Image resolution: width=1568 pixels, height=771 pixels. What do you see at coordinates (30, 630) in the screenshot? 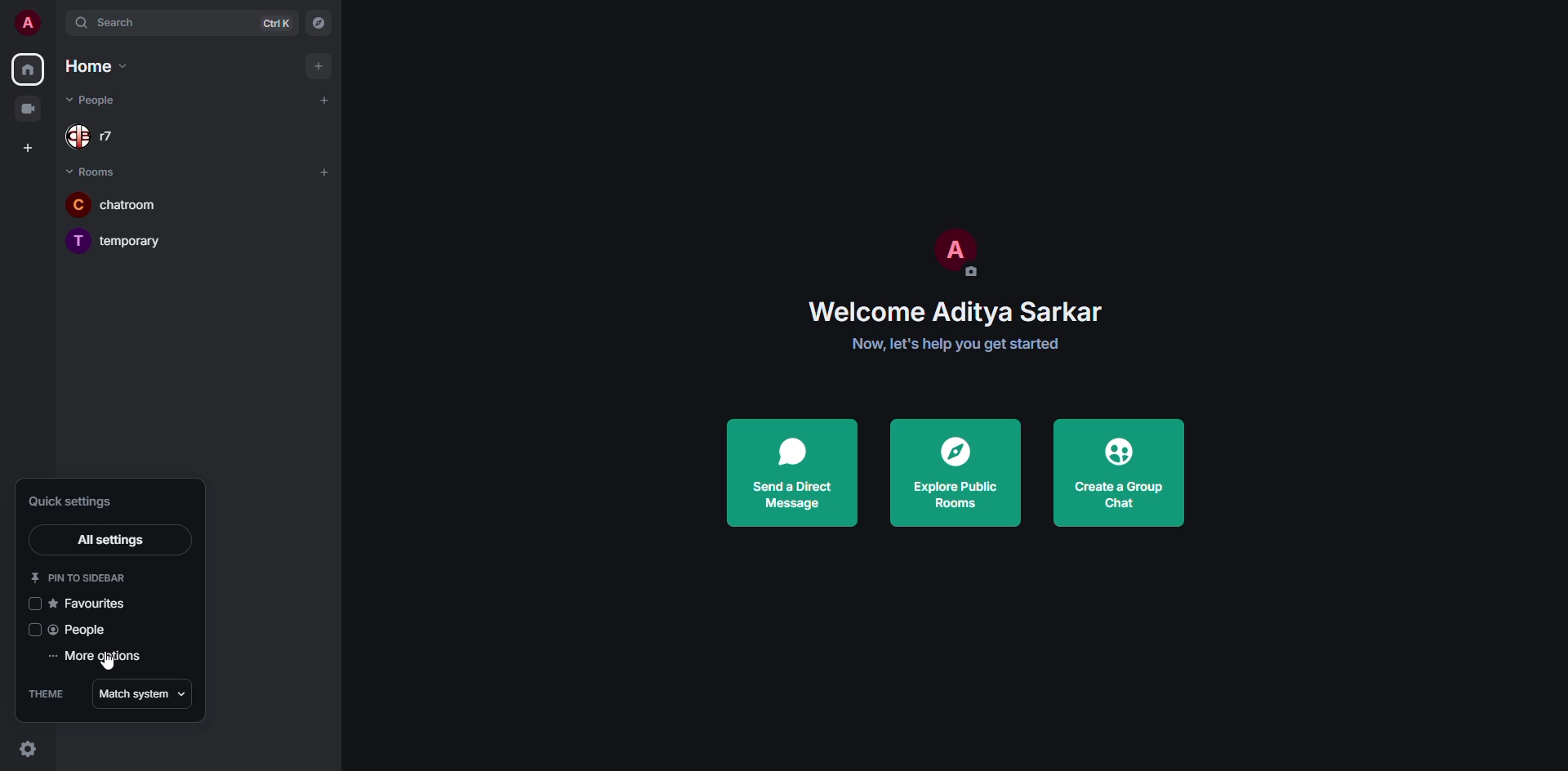
I see `click to enable` at bounding box center [30, 630].